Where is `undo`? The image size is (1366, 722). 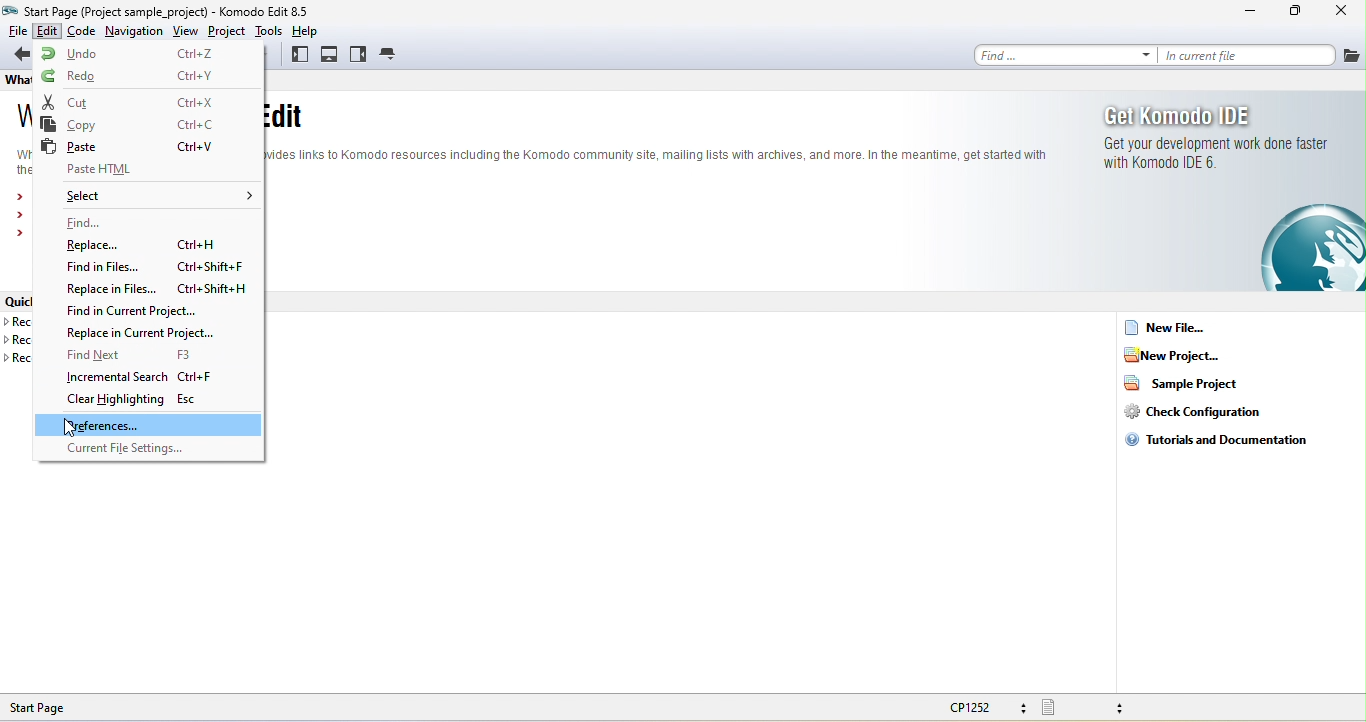
undo is located at coordinates (138, 53).